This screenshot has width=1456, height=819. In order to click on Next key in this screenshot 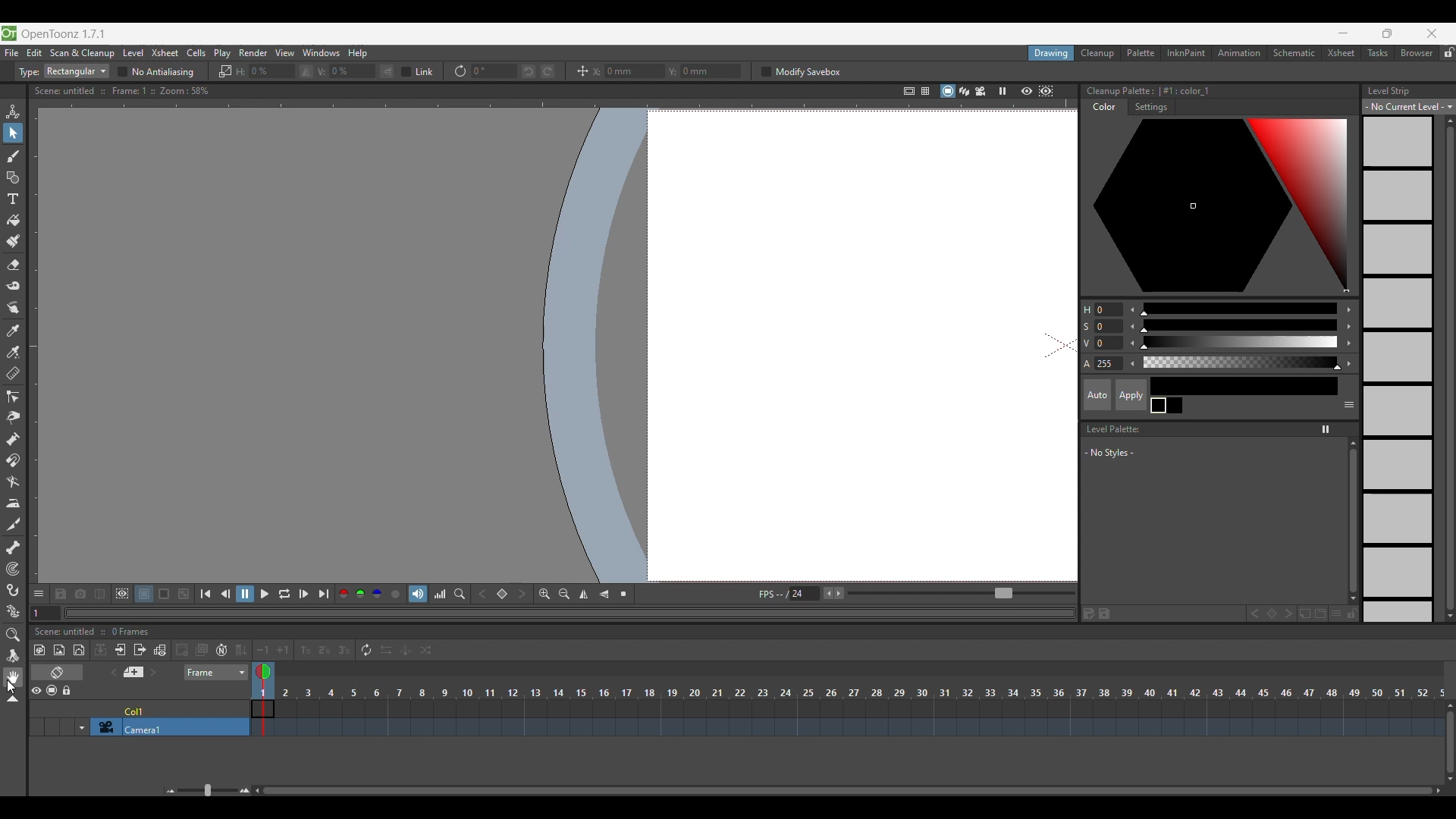, I will do `click(1286, 613)`.